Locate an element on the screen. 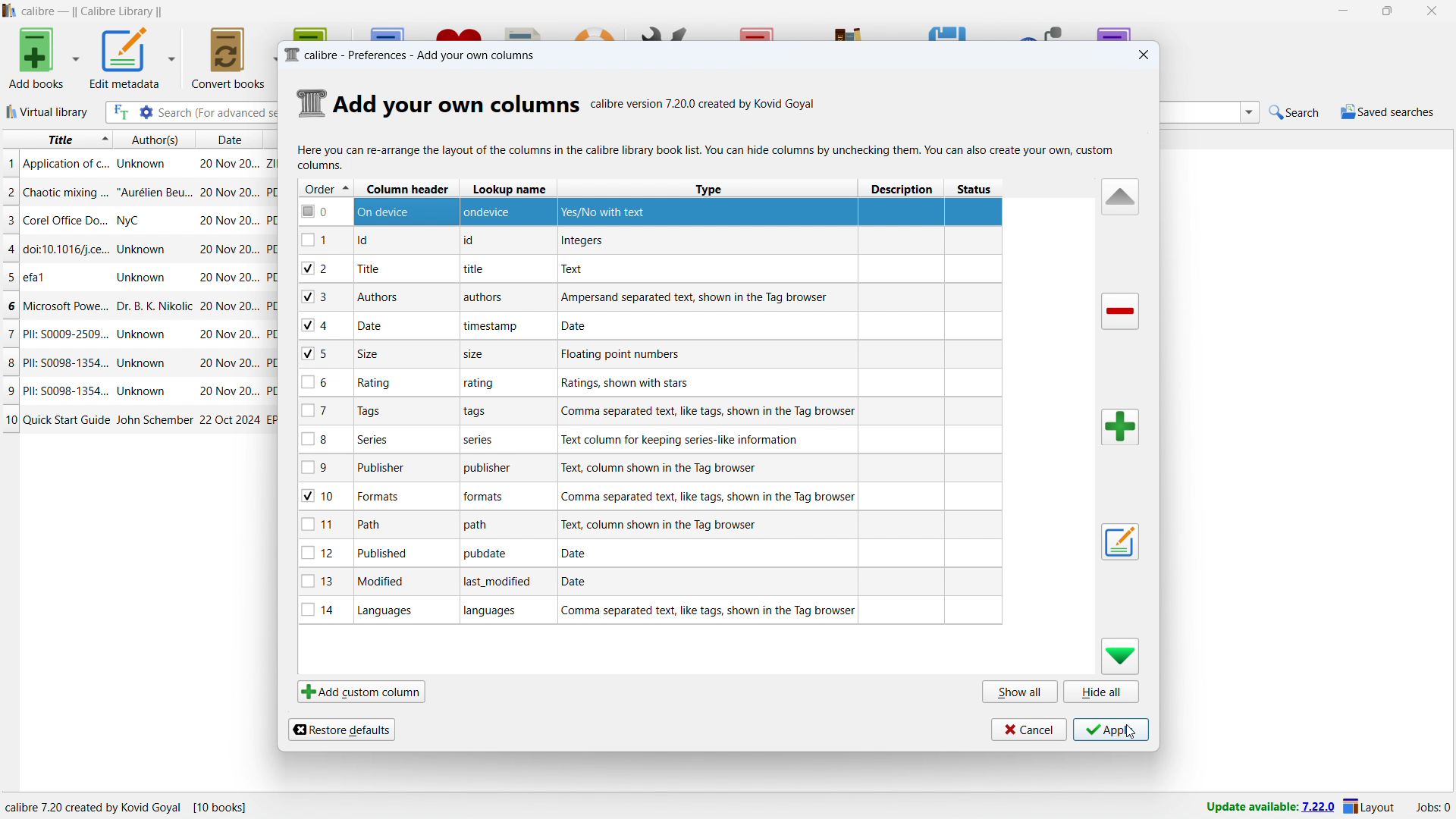 This screenshot has height=819, width=1456. Comma separated text, like tags, shown in the Tag browser is located at coordinates (711, 411).